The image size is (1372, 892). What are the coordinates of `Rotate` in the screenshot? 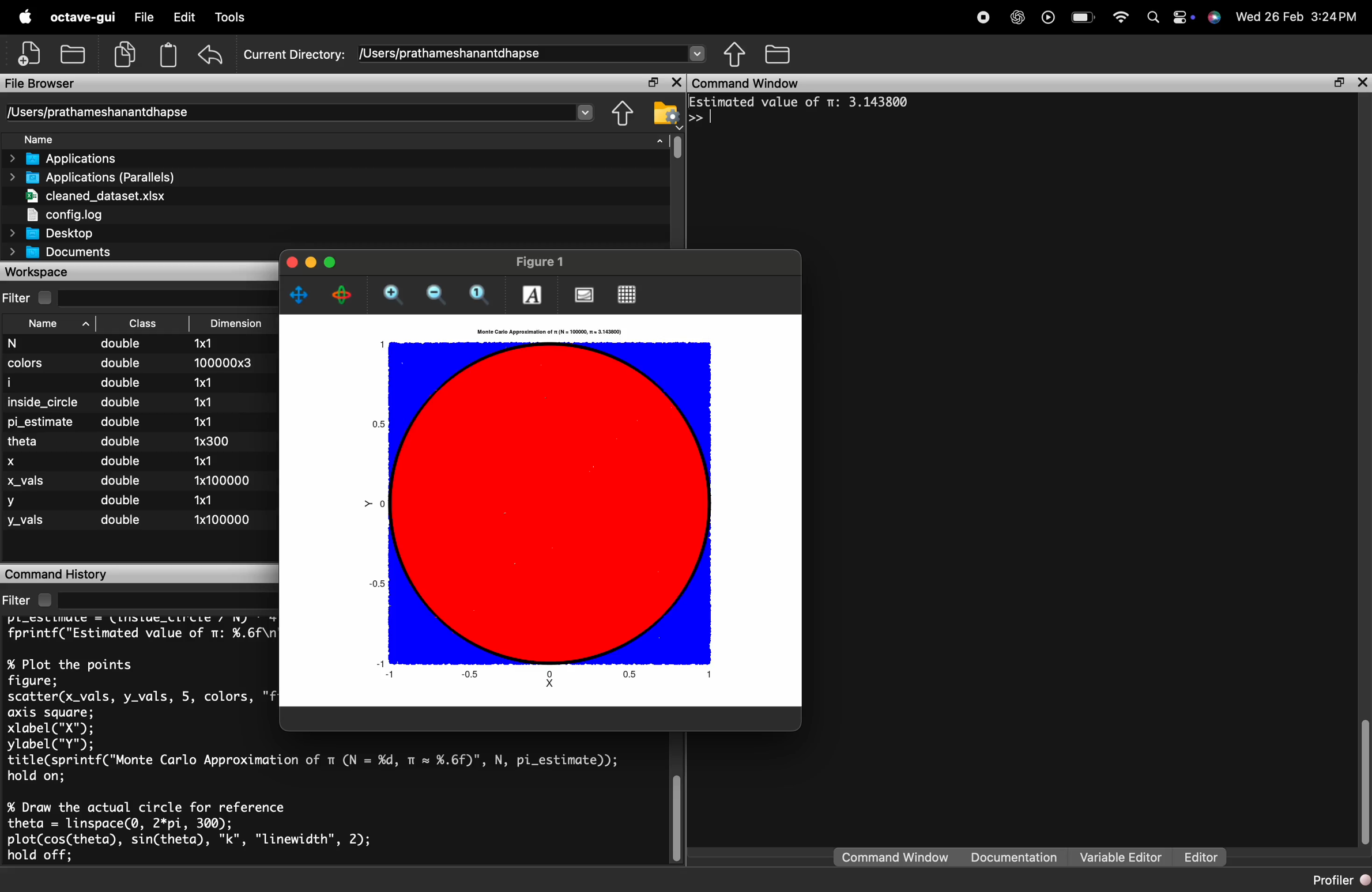 It's located at (344, 294).